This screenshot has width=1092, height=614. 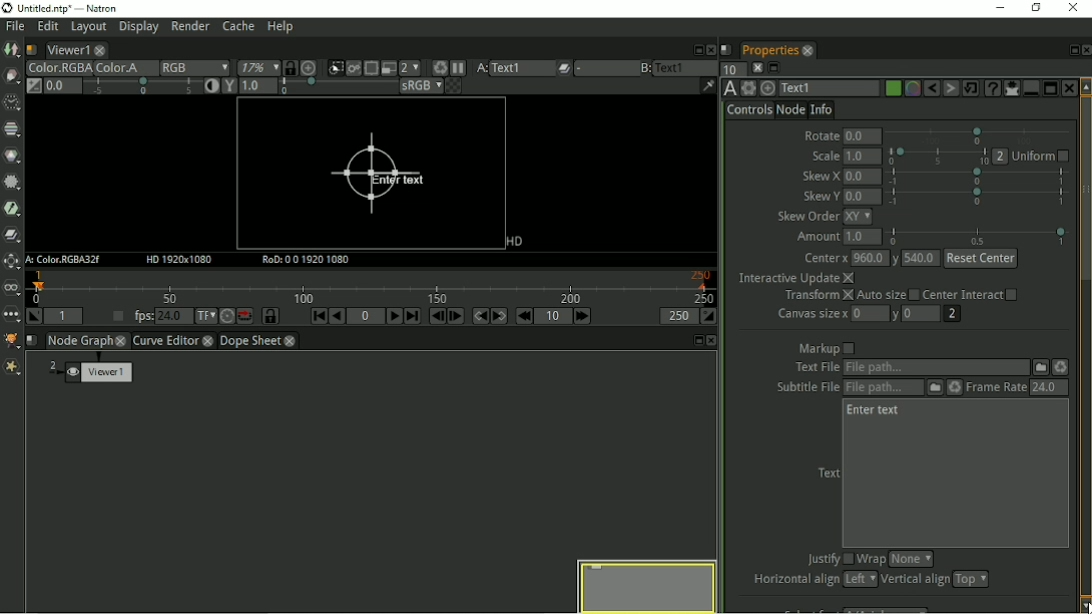 What do you see at coordinates (63, 316) in the screenshot?
I see `Playback in point` at bounding box center [63, 316].